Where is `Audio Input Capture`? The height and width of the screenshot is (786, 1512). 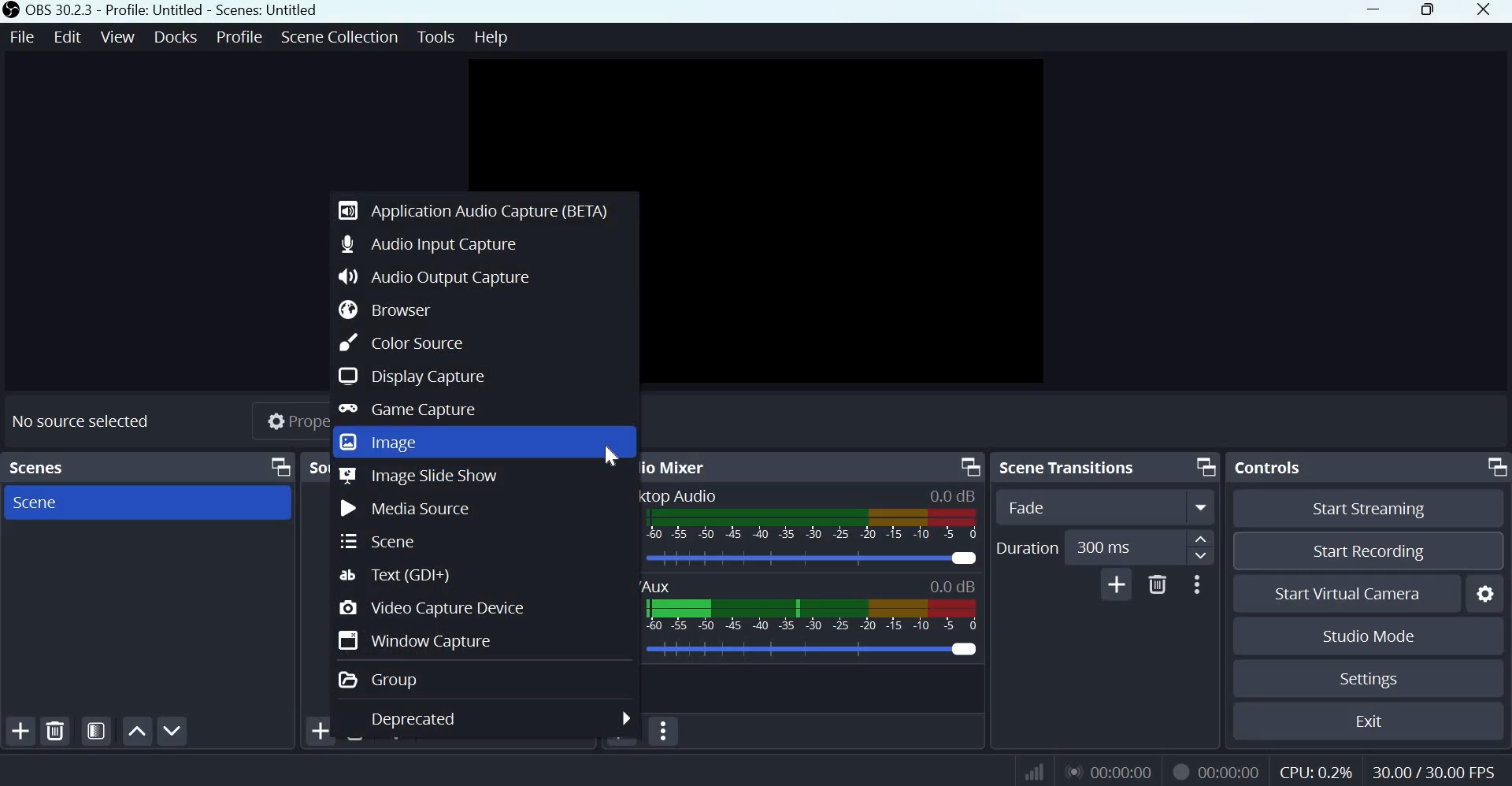
Audio Input Capture is located at coordinates (428, 243).